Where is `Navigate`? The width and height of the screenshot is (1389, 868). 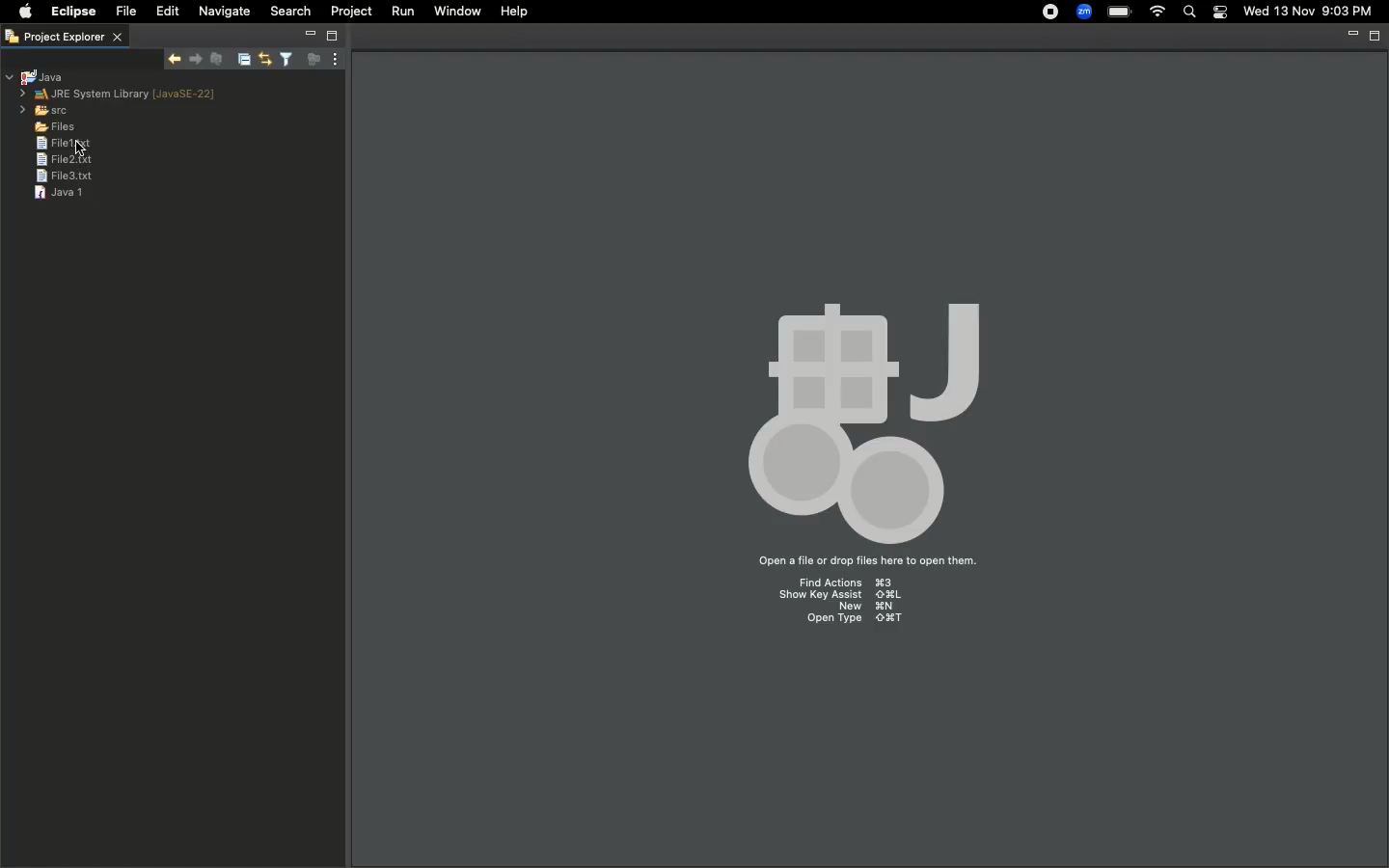
Navigate is located at coordinates (225, 12).